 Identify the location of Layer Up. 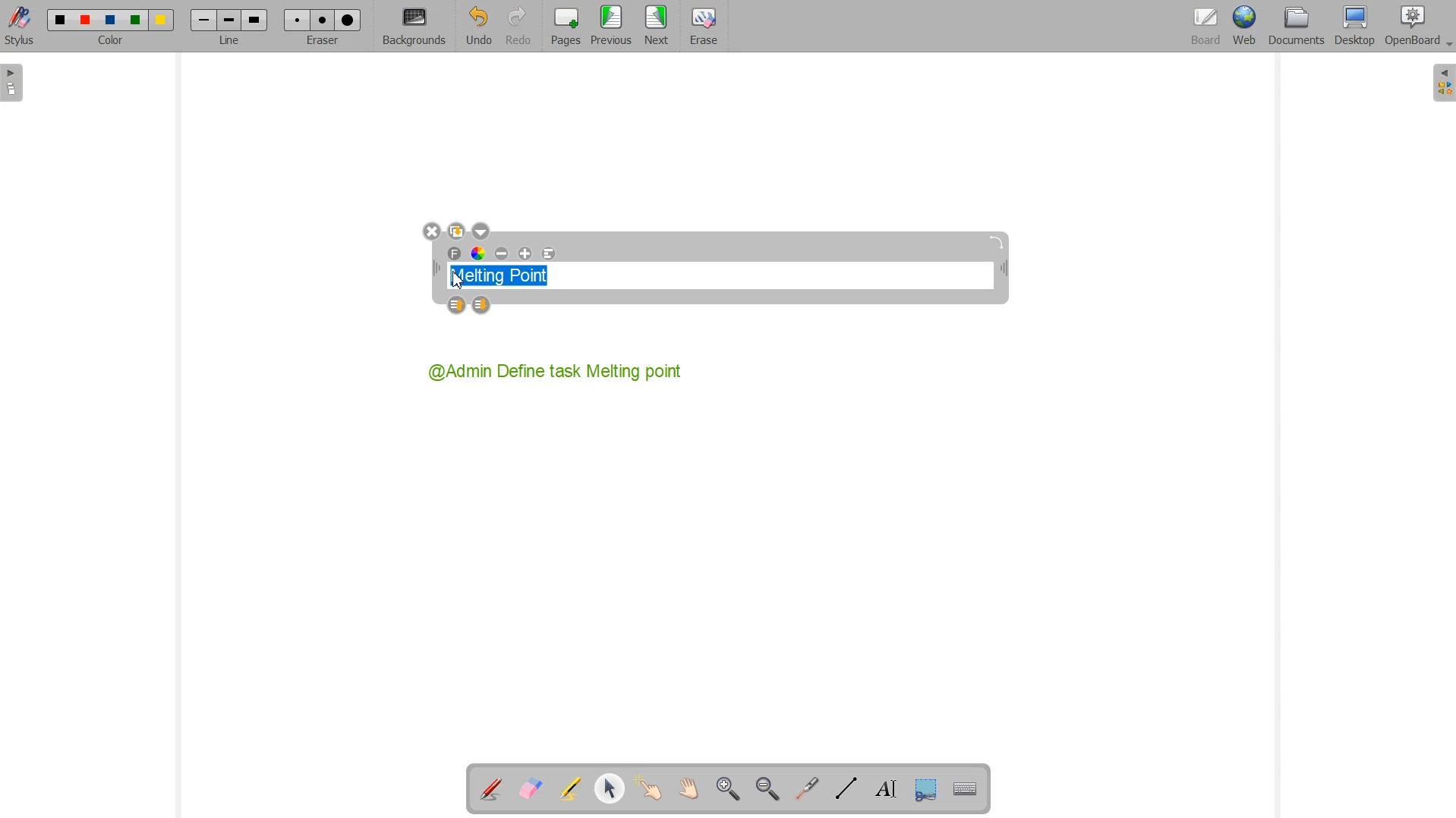
(459, 306).